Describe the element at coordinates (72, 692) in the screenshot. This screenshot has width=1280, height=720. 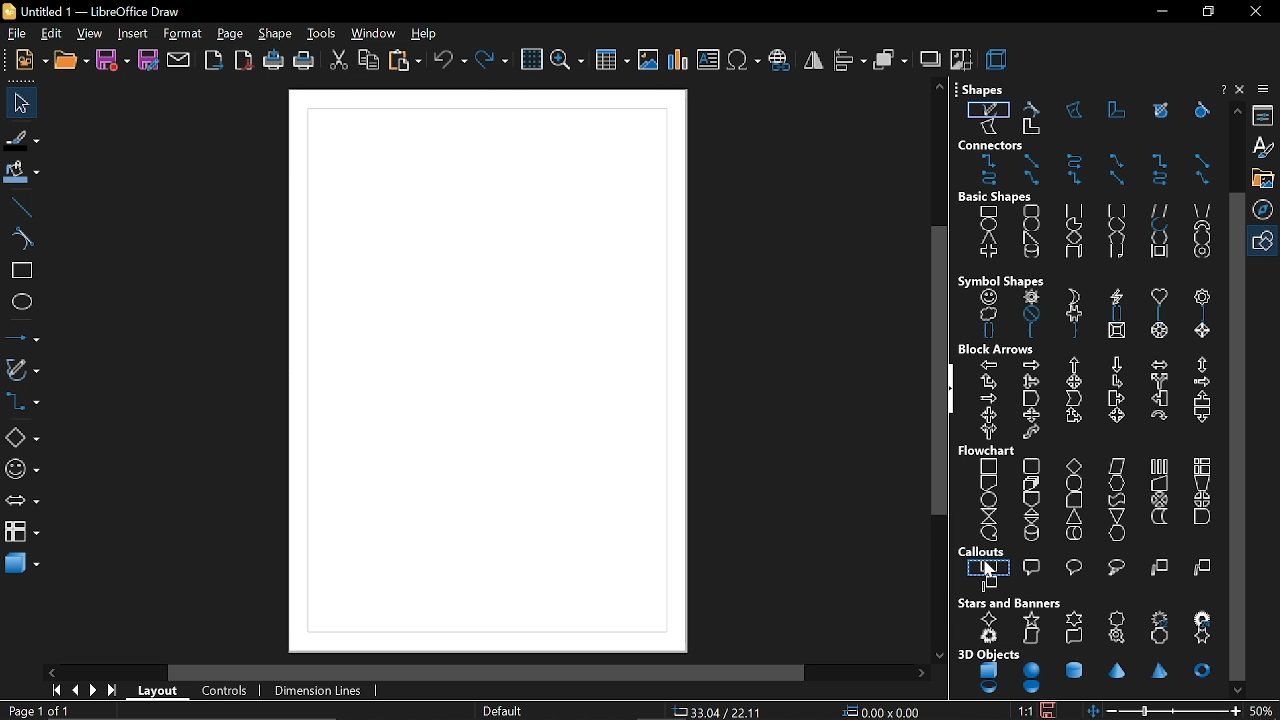
I see `previous page` at that location.